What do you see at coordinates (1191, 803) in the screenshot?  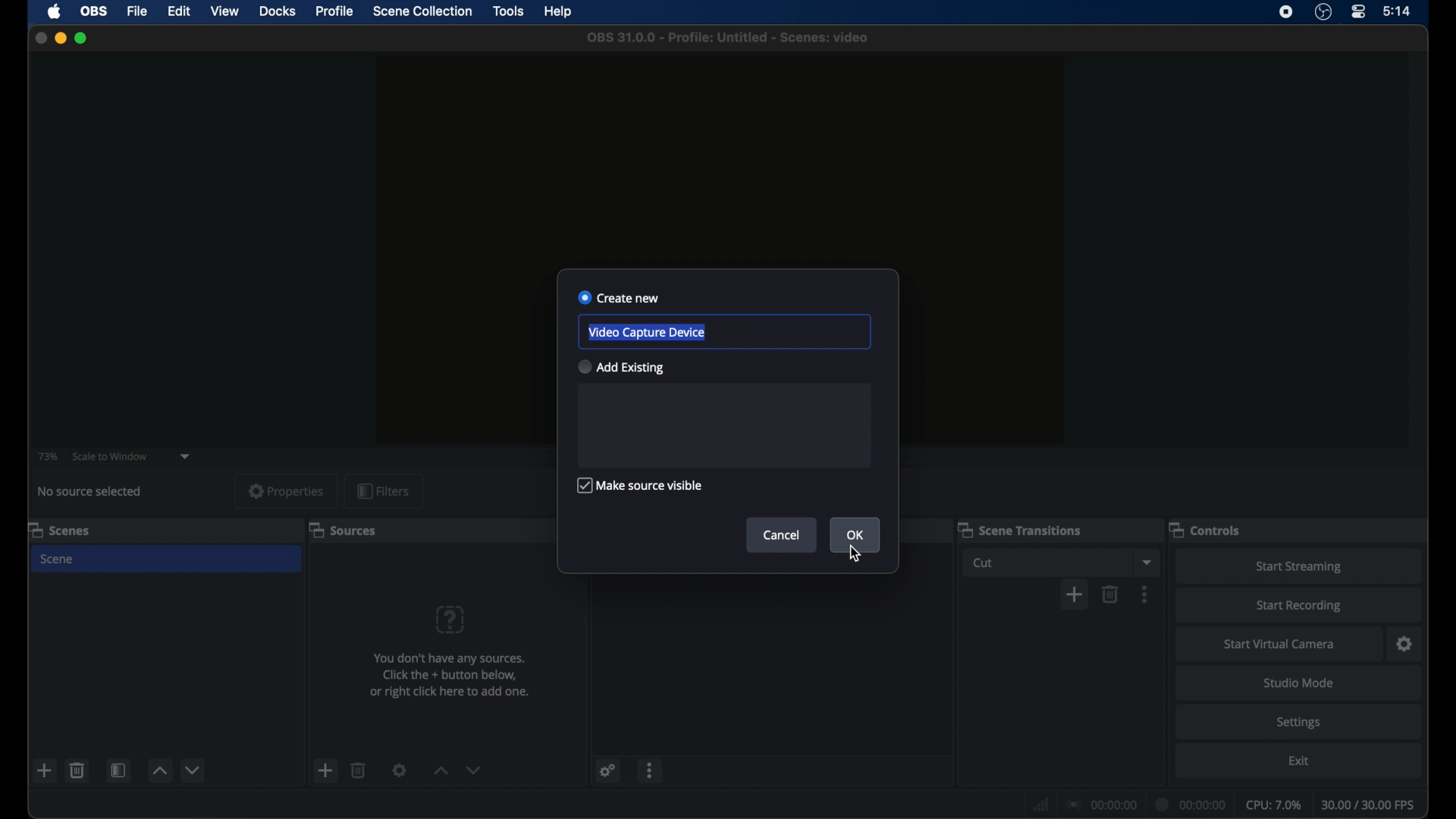 I see `duration` at bounding box center [1191, 803].